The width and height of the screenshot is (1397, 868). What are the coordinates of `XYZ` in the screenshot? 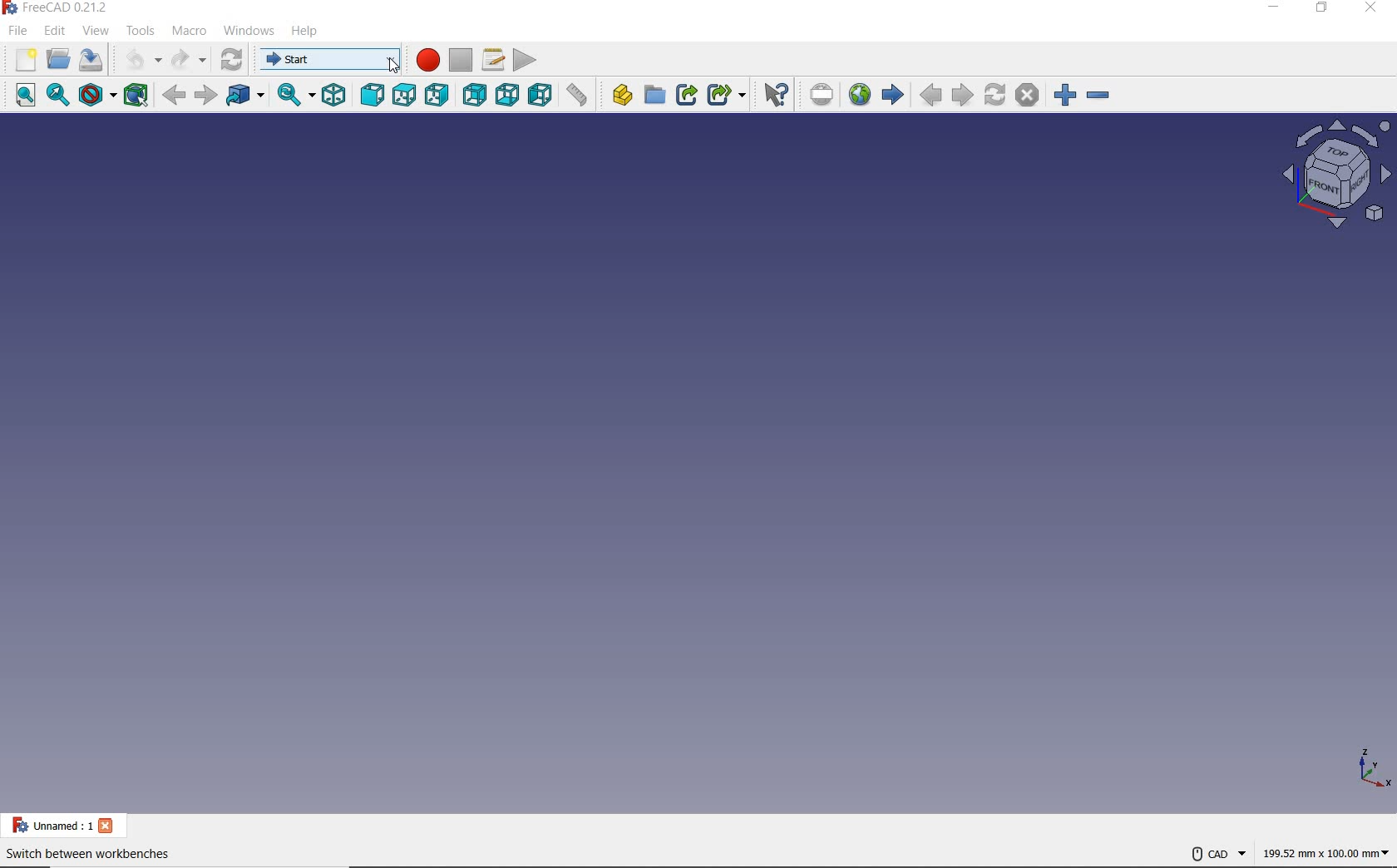 It's located at (1374, 771).